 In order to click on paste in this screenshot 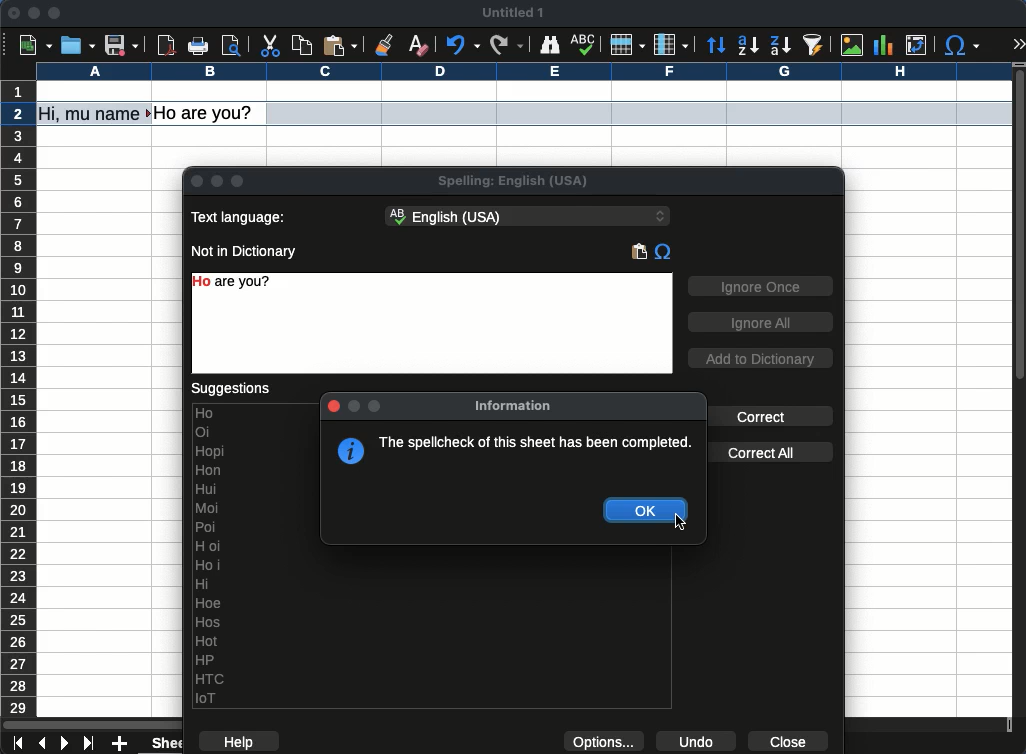, I will do `click(342, 44)`.